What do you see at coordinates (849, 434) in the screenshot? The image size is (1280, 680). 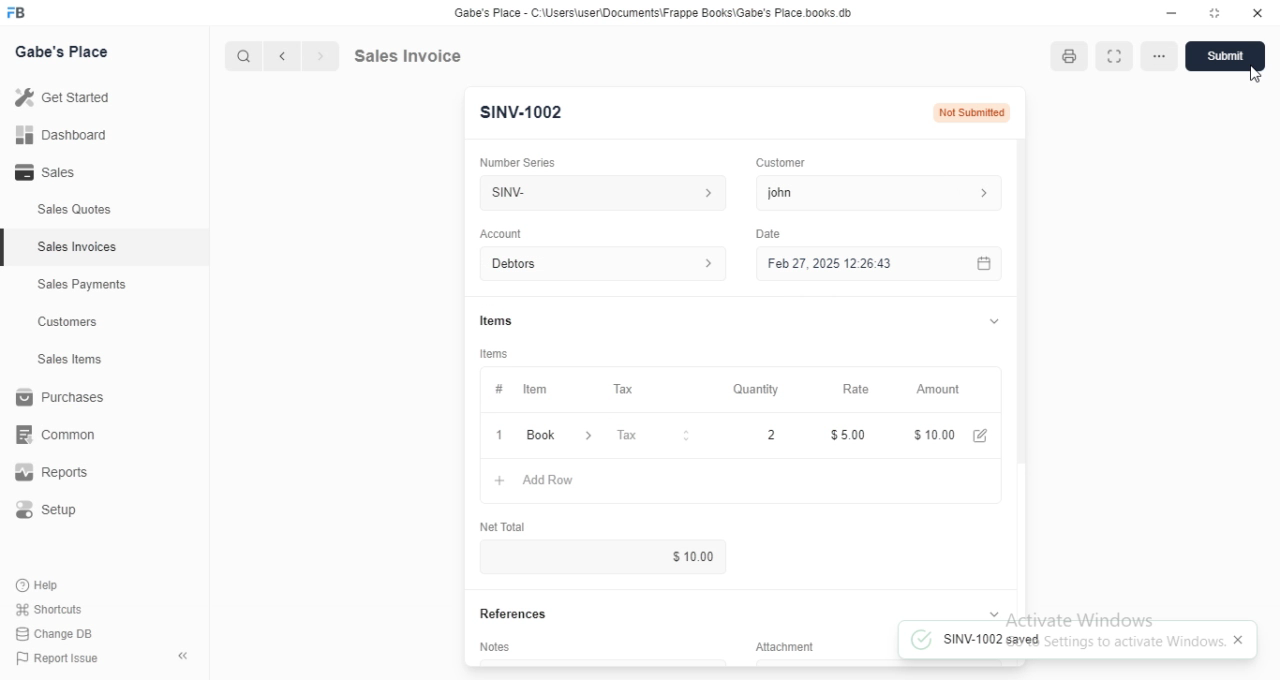 I see `$5.00` at bounding box center [849, 434].